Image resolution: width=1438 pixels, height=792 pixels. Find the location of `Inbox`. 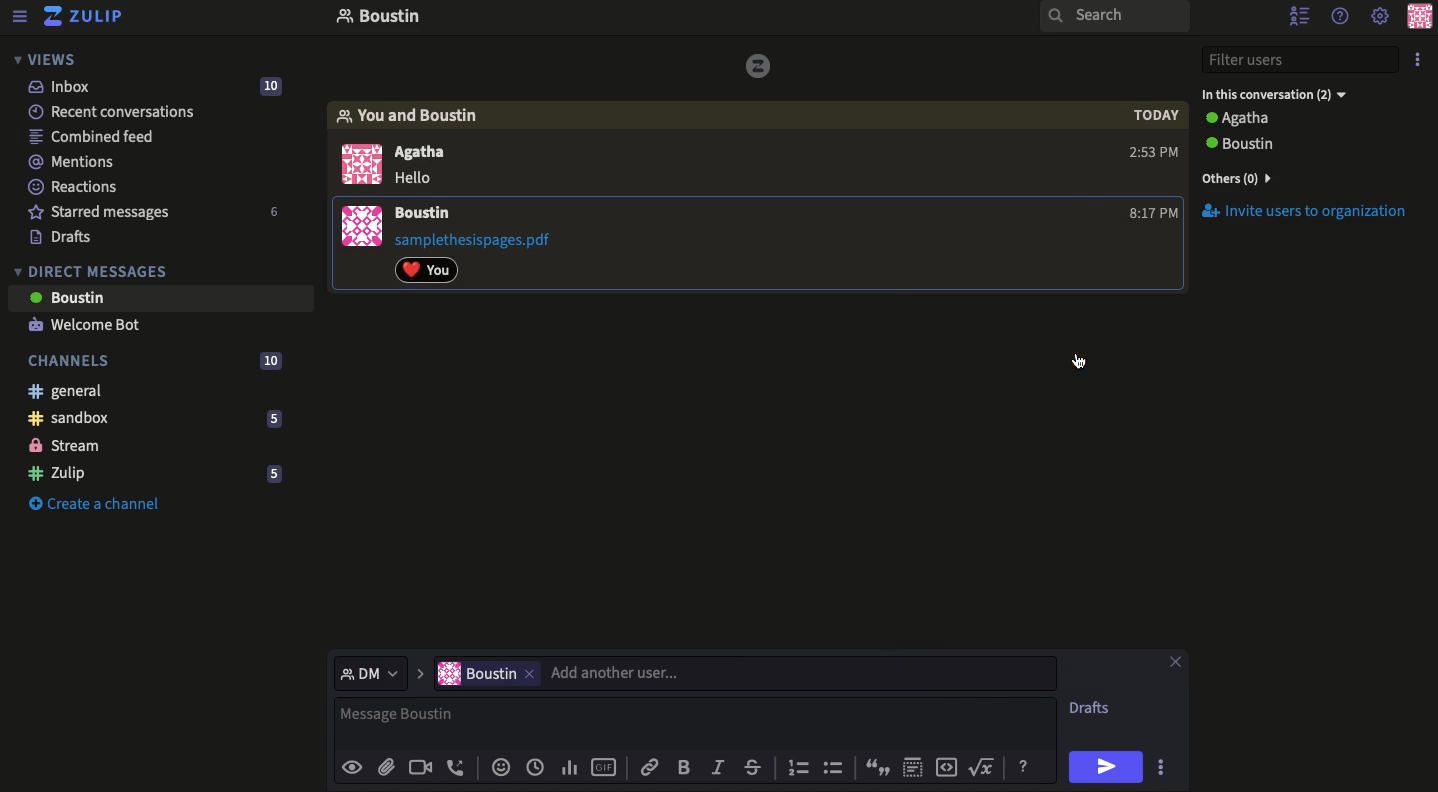

Inbox is located at coordinates (564, 18).